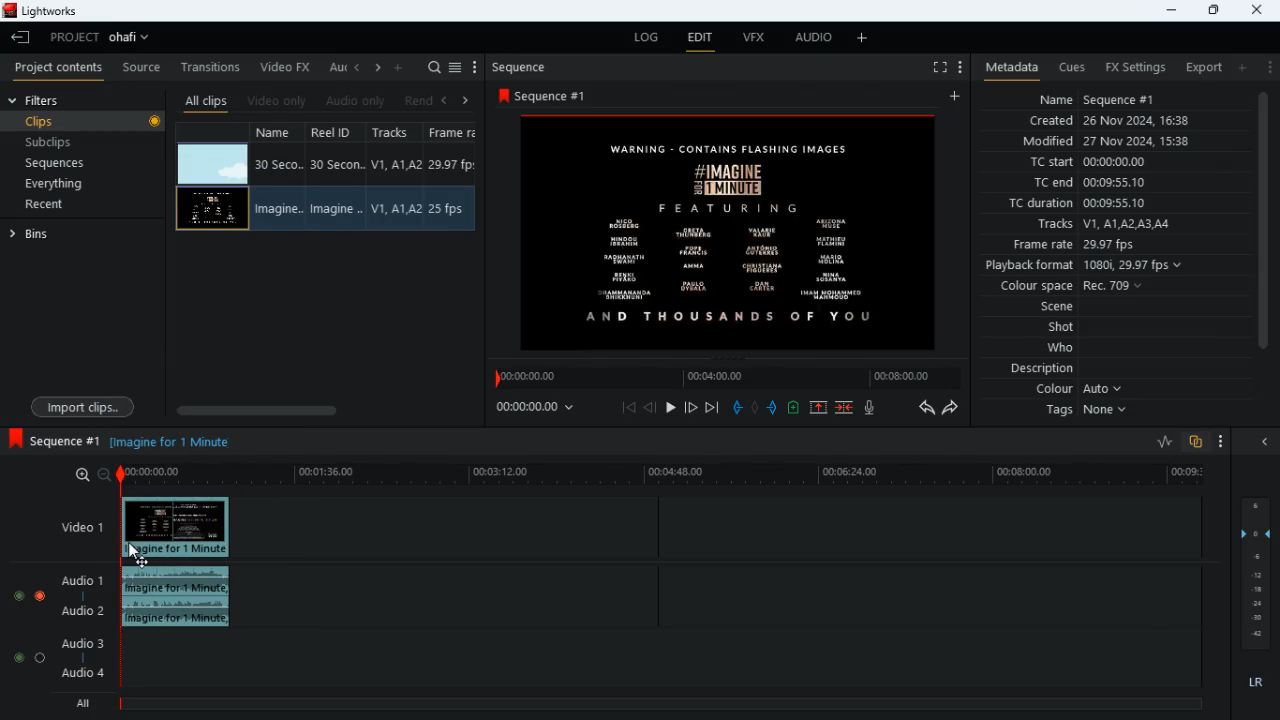 Image resolution: width=1280 pixels, height=720 pixels. Describe the element at coordinates (1046, 308) in the screenshot. I see `scene` at that location.